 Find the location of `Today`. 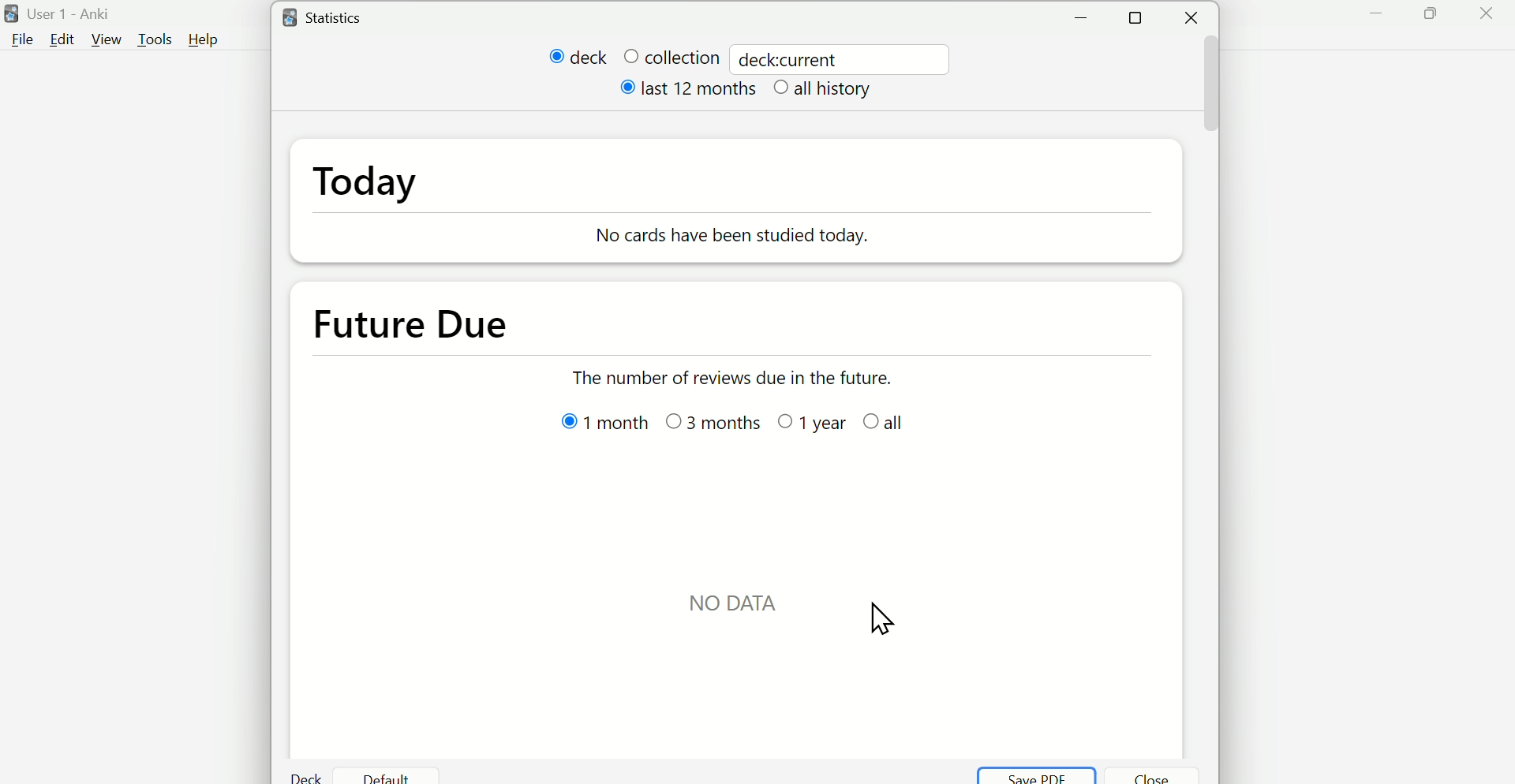

Today is located at coordinates (376, 185).